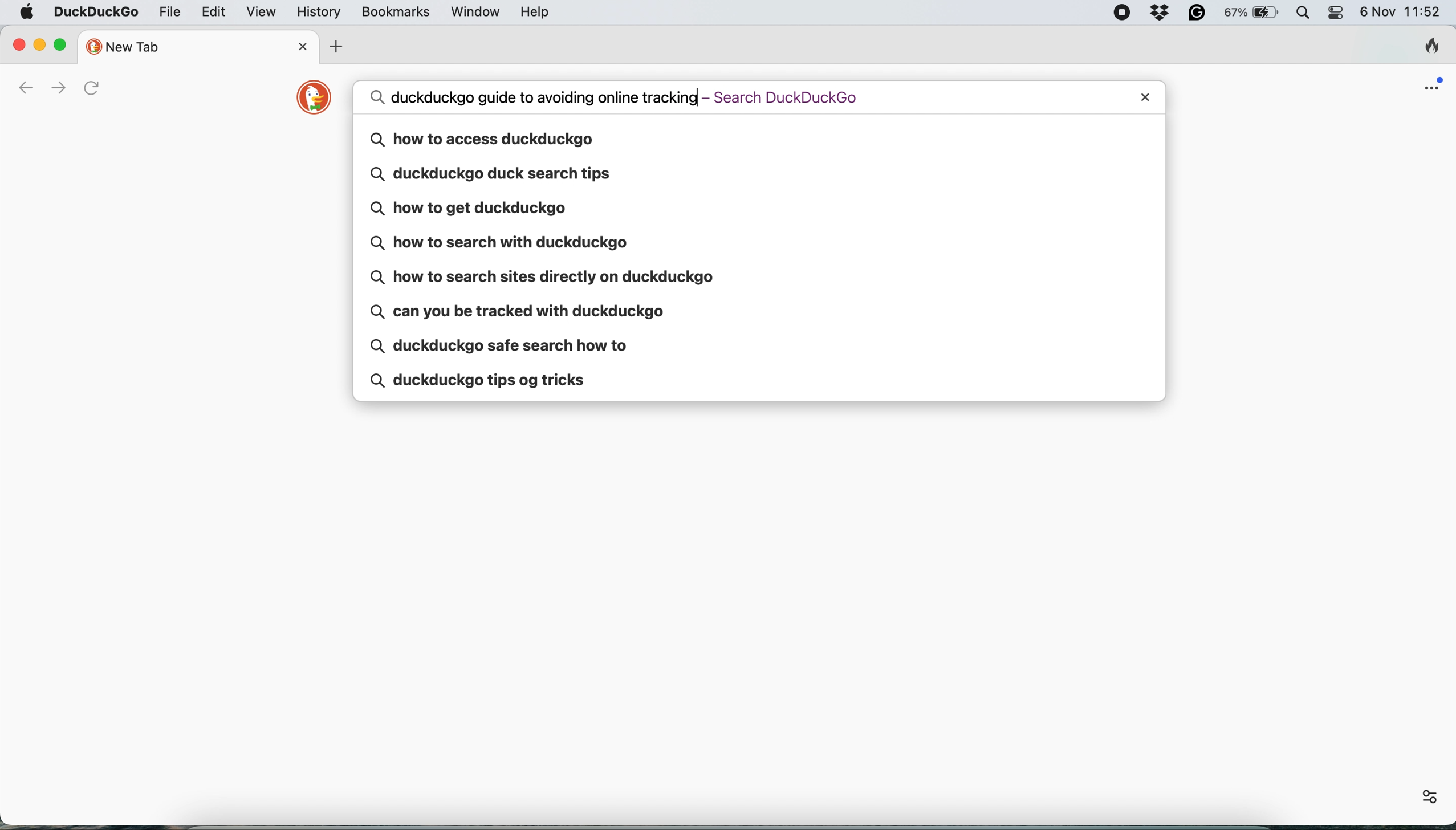 This screenshot has width=1456, height=830. I want to click on minimise, so click(38, 42).